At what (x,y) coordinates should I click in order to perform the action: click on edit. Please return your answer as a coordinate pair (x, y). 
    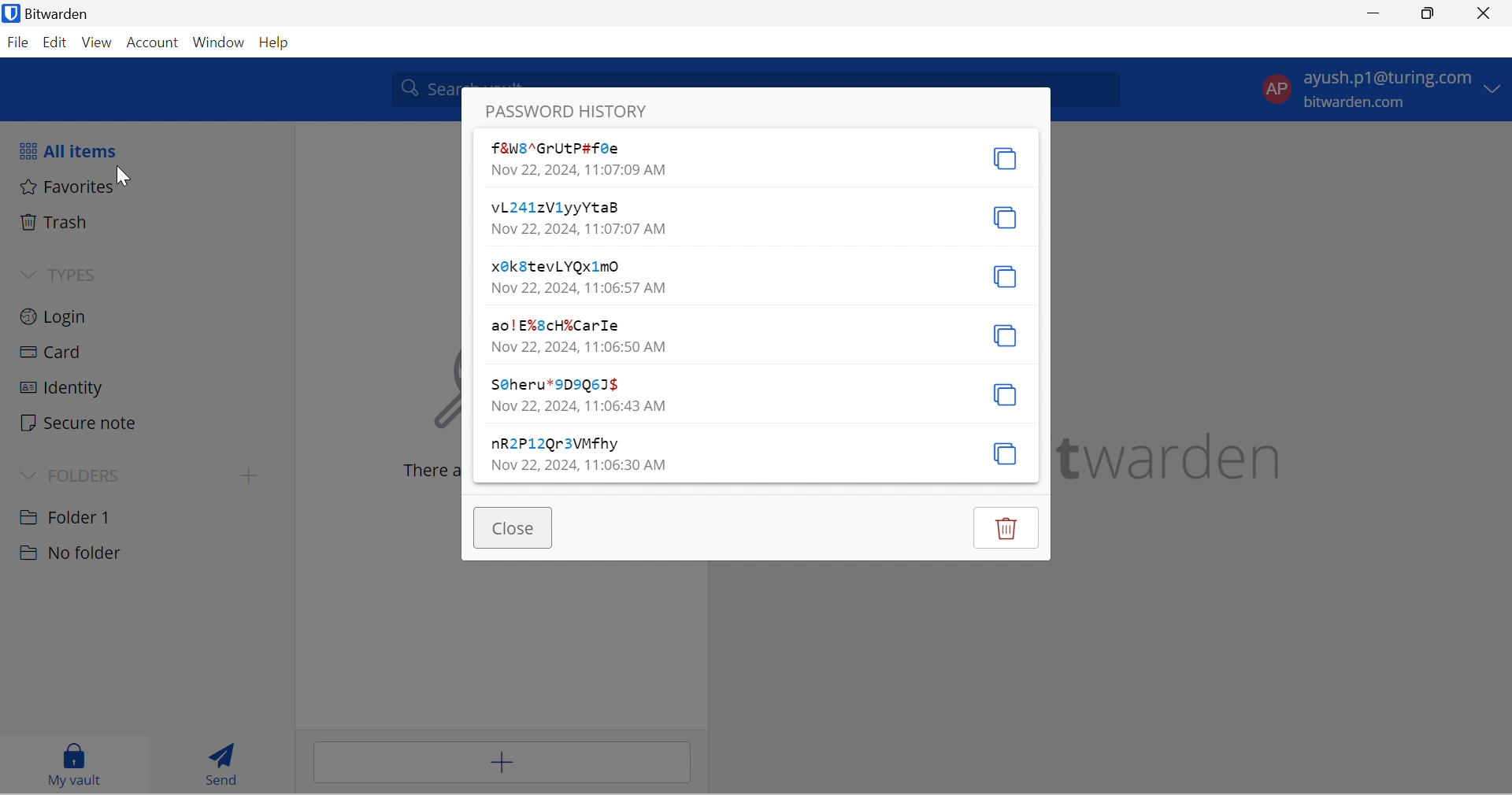
    Looking at the image, I should click on (54, 44).